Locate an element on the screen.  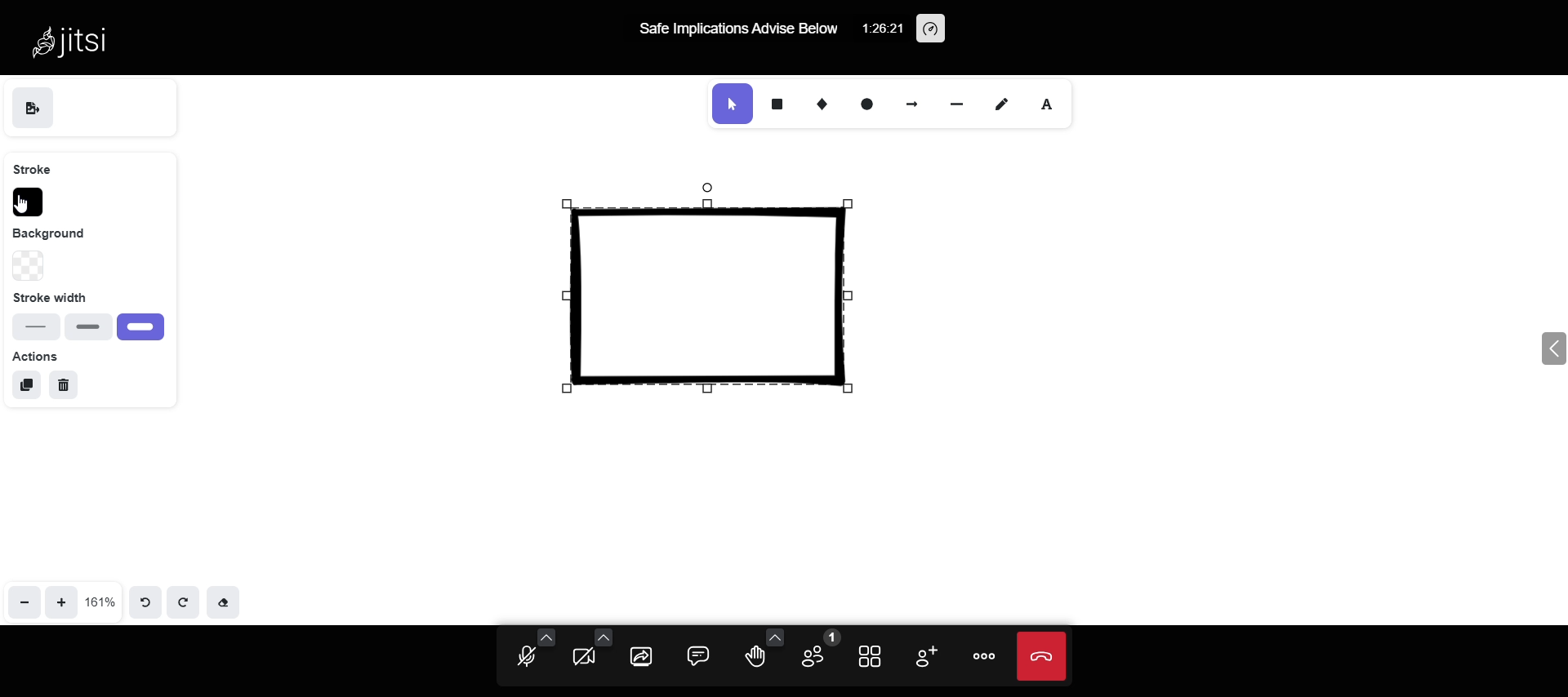
draw is located at coordinates (1004, 101).